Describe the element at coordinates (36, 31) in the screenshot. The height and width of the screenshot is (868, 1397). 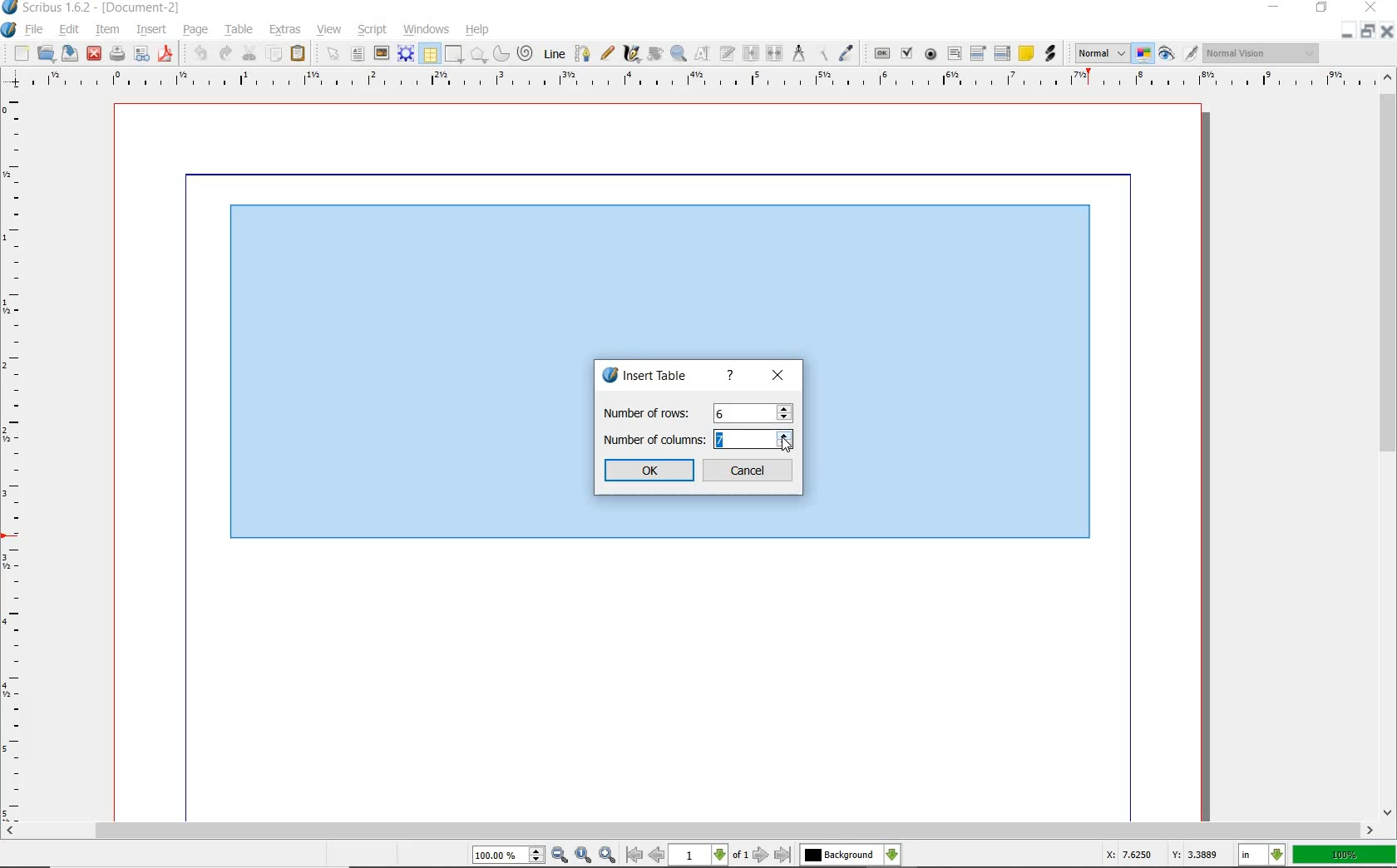
I see `file` at that location.